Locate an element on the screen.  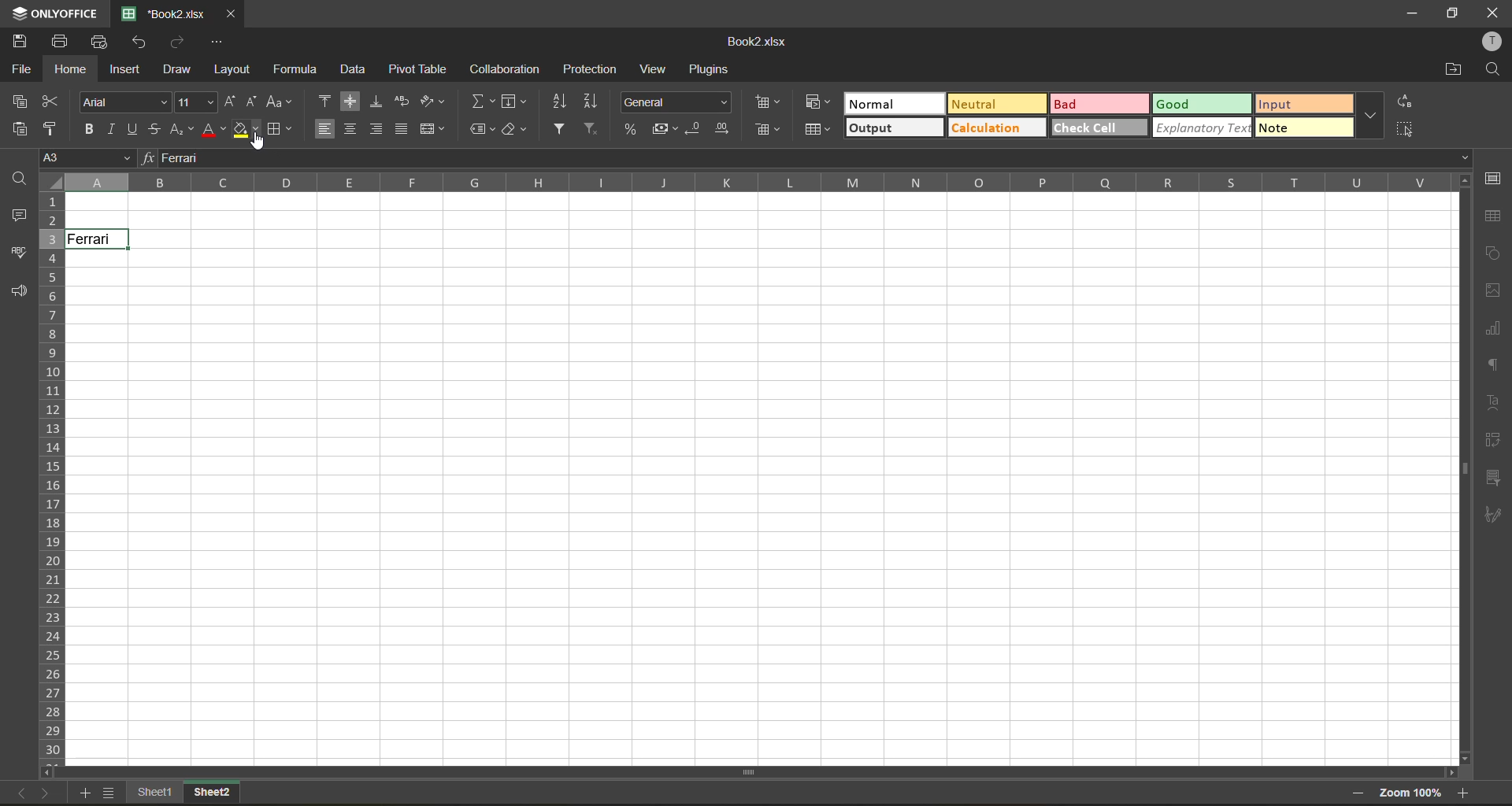
paragraph is located at coordinates (1495, 365).